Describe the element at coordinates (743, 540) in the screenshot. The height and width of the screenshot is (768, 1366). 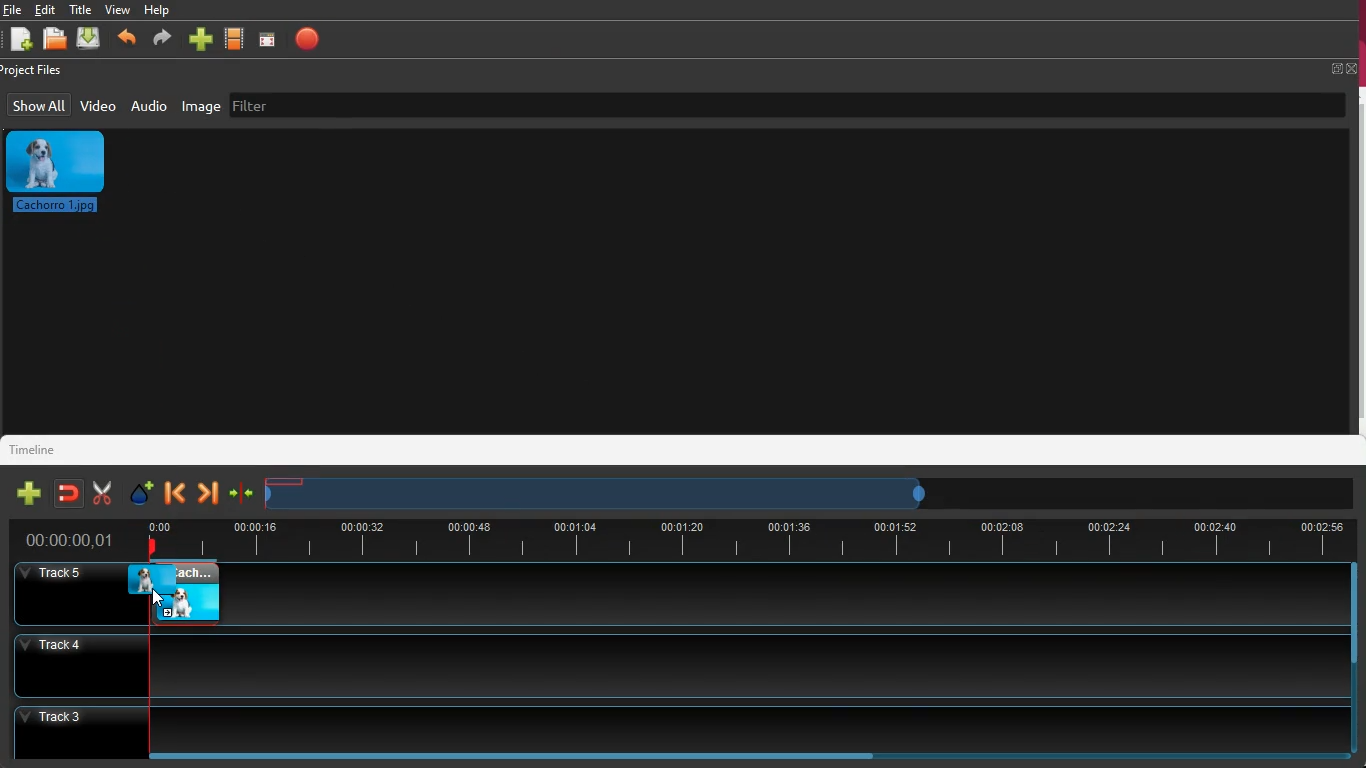
I see `time` at that location.